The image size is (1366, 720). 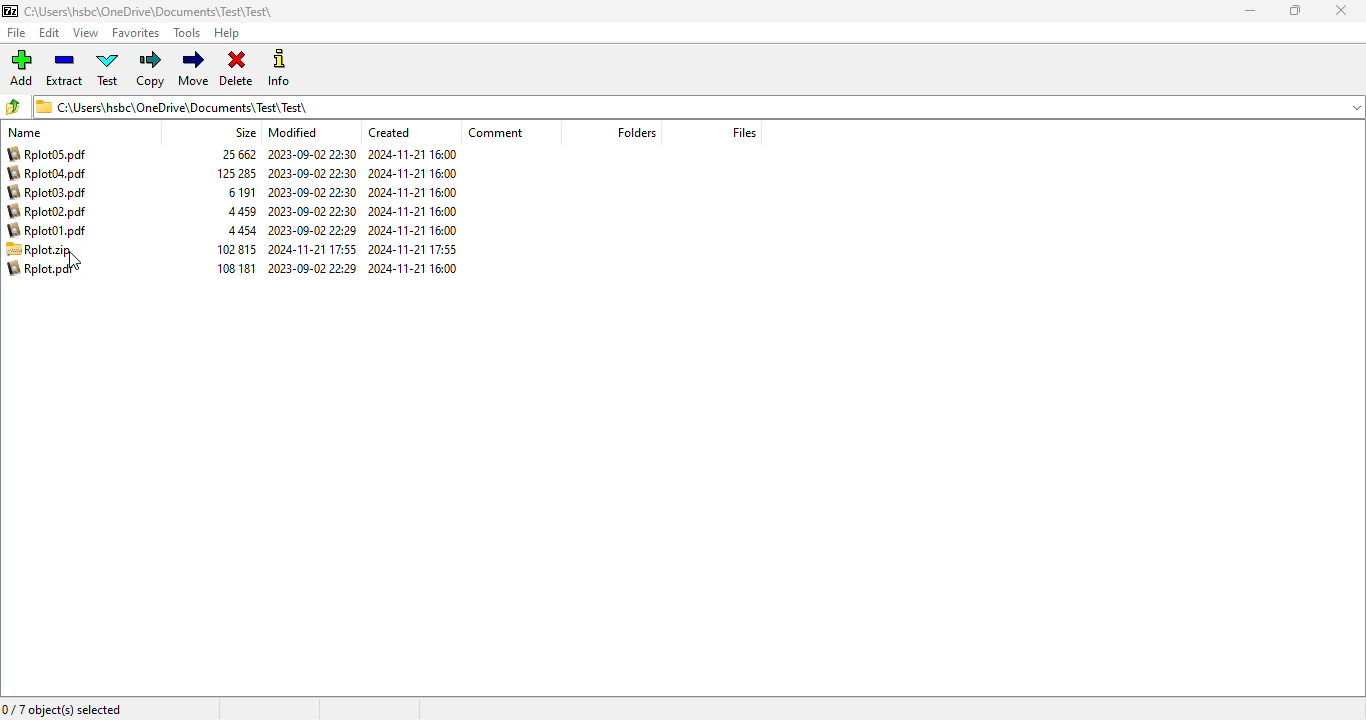 What do you see at coordinates (50, 33) in the screenshot?
I see `edit` at bounding box center [50, 33].